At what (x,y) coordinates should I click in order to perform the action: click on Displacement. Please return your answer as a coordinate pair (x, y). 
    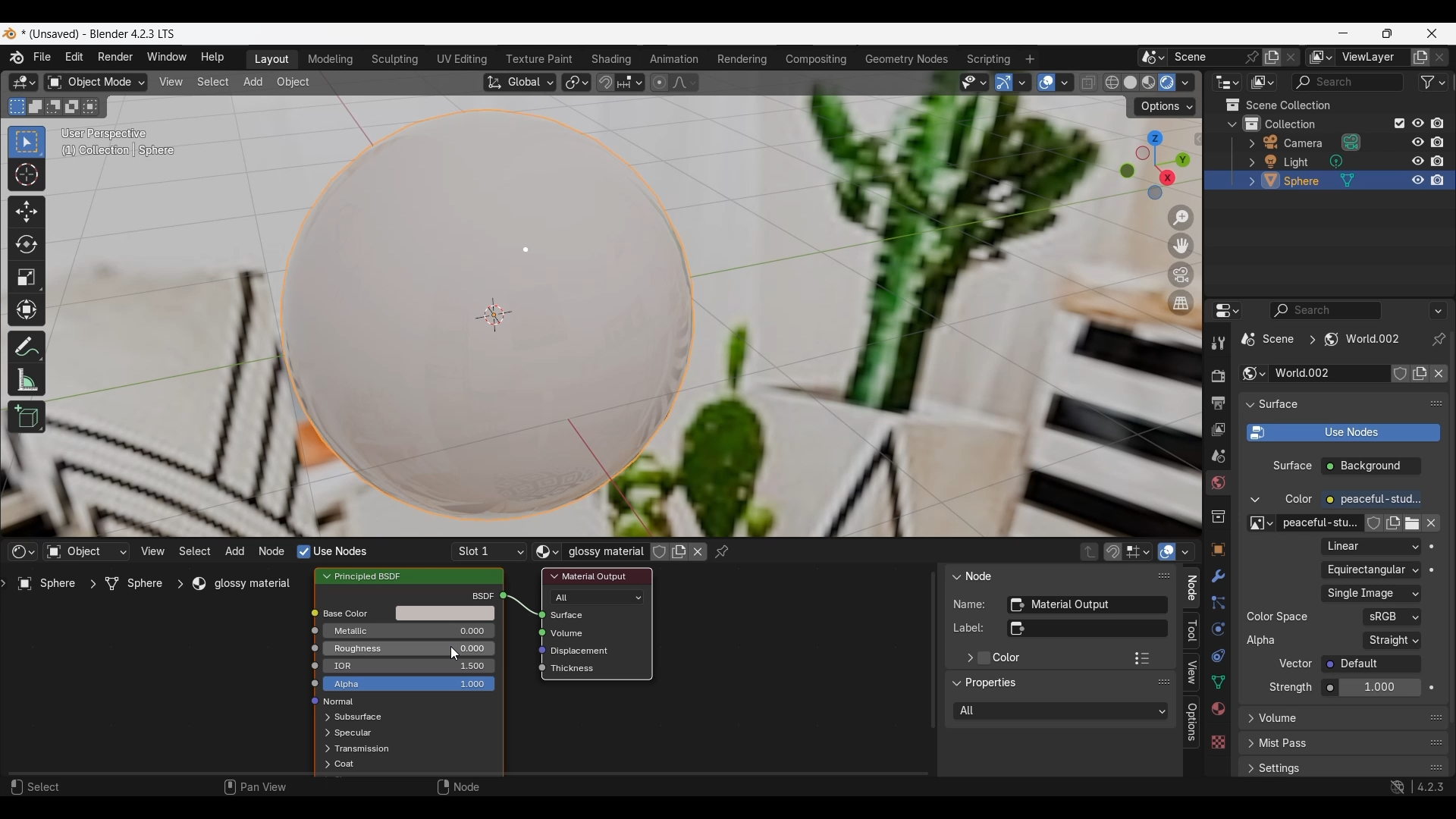
    Looking at the image, I should click on (585, 651).